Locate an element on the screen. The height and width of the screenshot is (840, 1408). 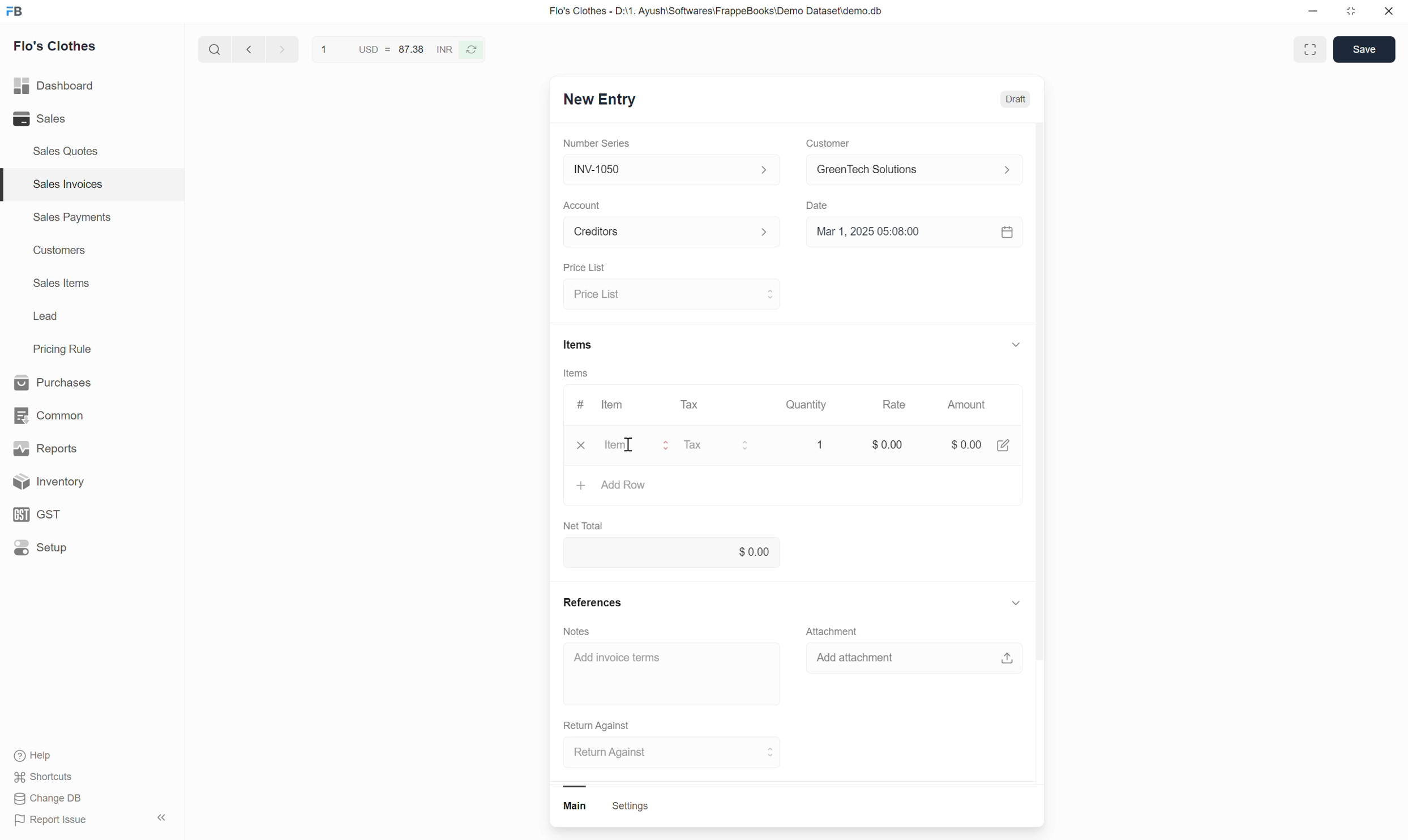
Lead is located at coordinates (45, 318).